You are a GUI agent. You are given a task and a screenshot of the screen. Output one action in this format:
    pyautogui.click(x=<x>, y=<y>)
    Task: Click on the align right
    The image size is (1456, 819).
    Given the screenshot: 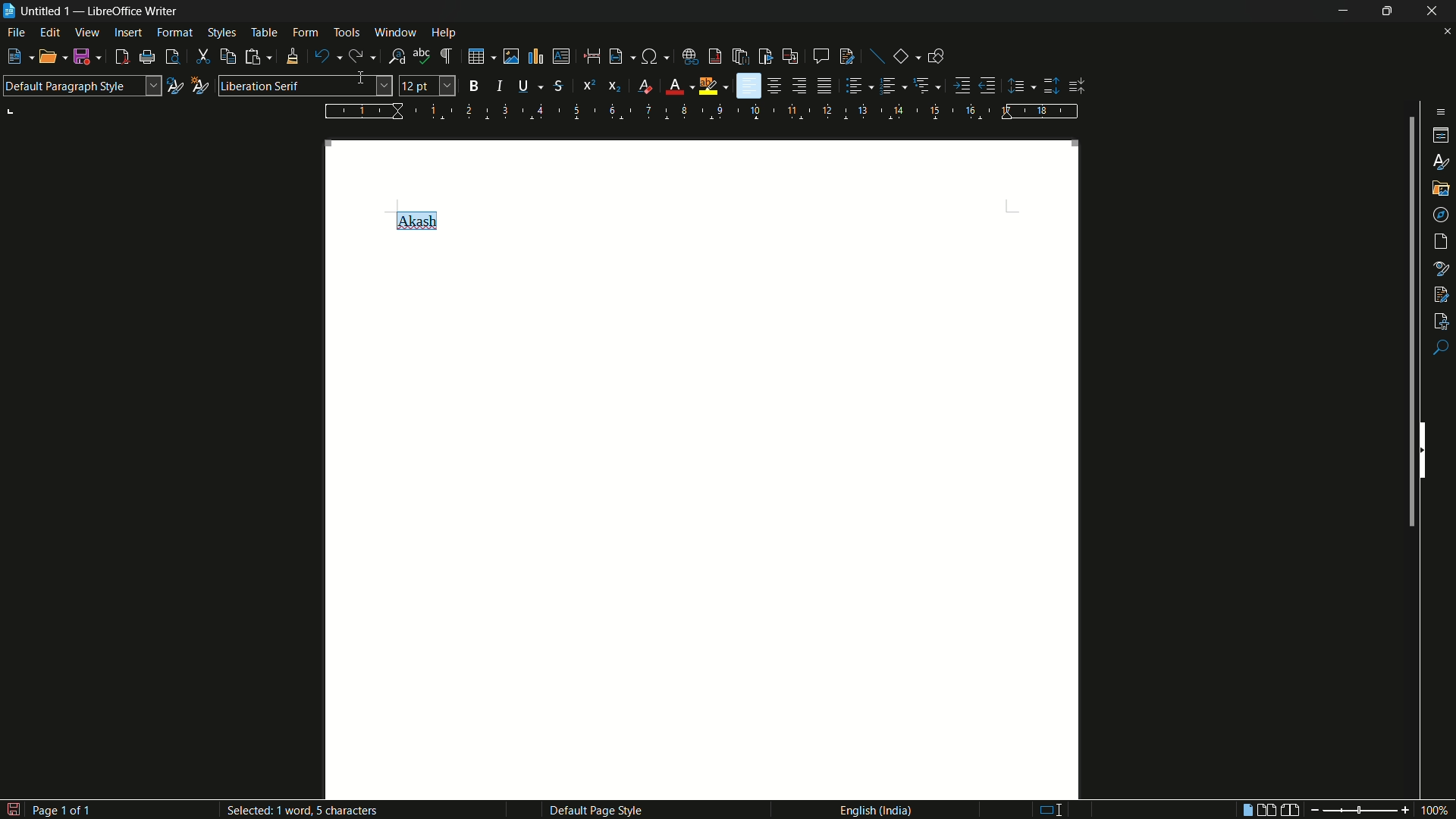 What is the action you would take?
    pyautogui.click(x=799, y=86)
    